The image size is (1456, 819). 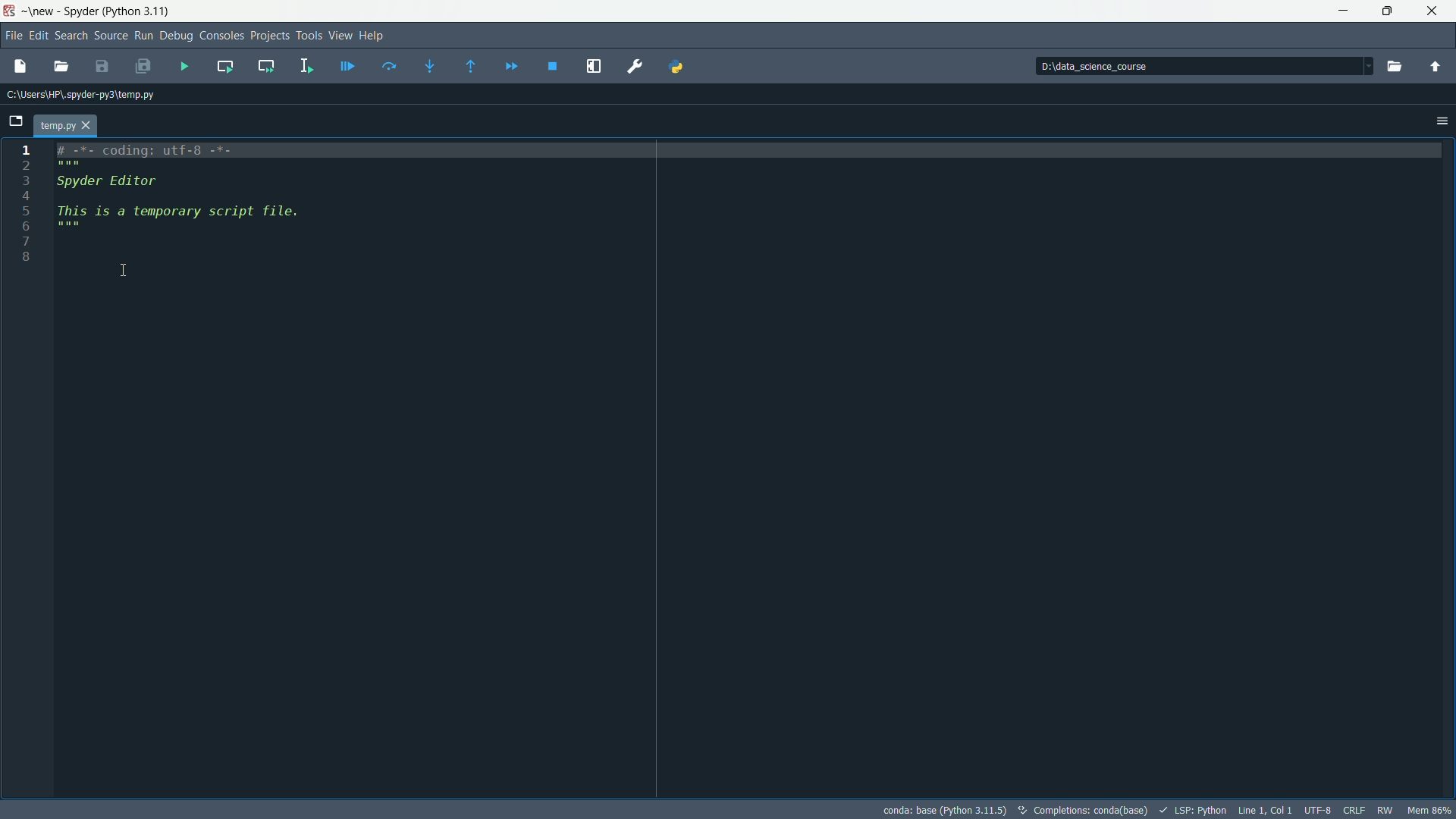 I want to click on file name, so click(x=125, y=125).